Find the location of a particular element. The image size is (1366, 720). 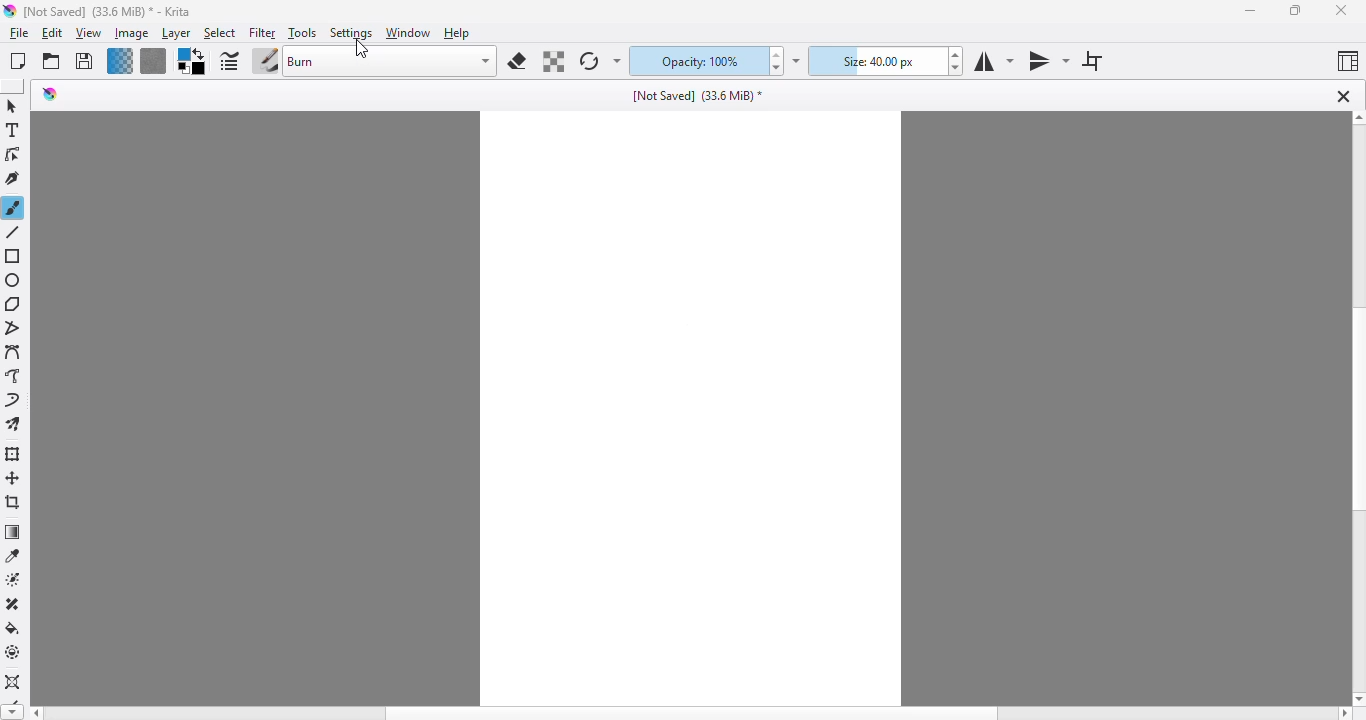

foreground/background color selector is located at coordinates (190, 62).